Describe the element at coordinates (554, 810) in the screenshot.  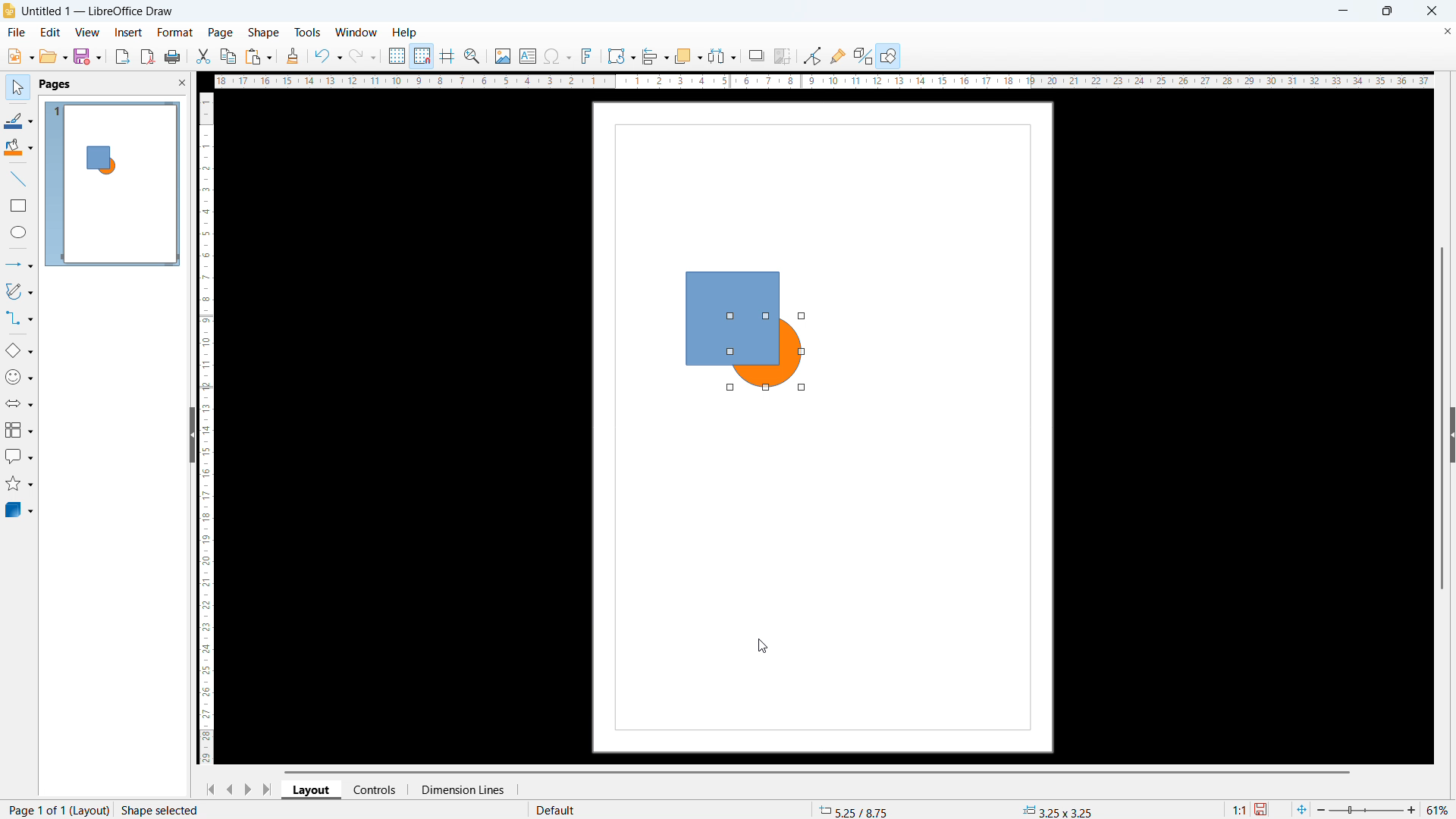
I see `default page style` at that location.